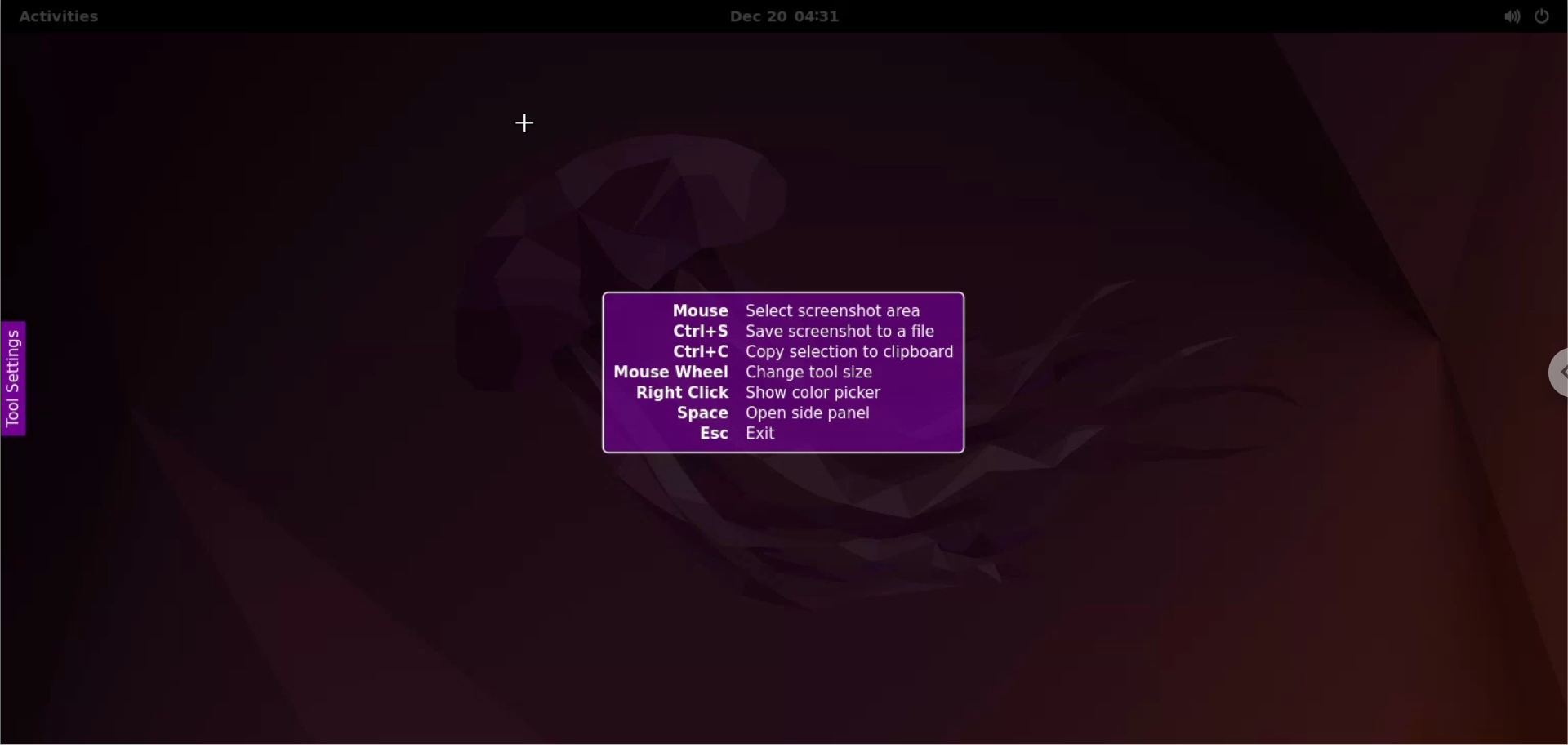  What do you see at coordinates (523, 121) in the screenshot?
I see `cursor ` at bounding box center [523, 121].